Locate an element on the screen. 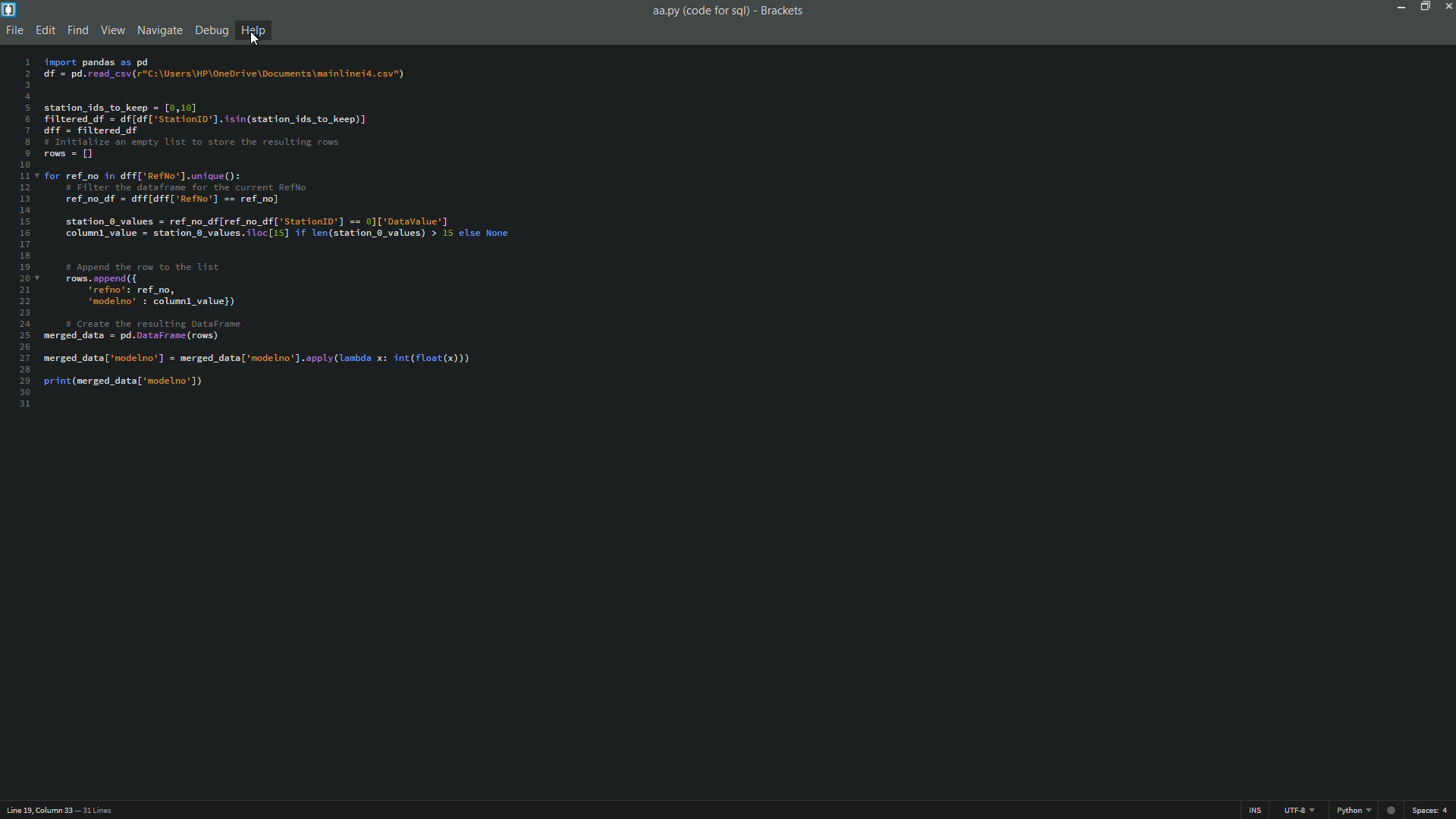  help menu is located at coordinates (253, 31).